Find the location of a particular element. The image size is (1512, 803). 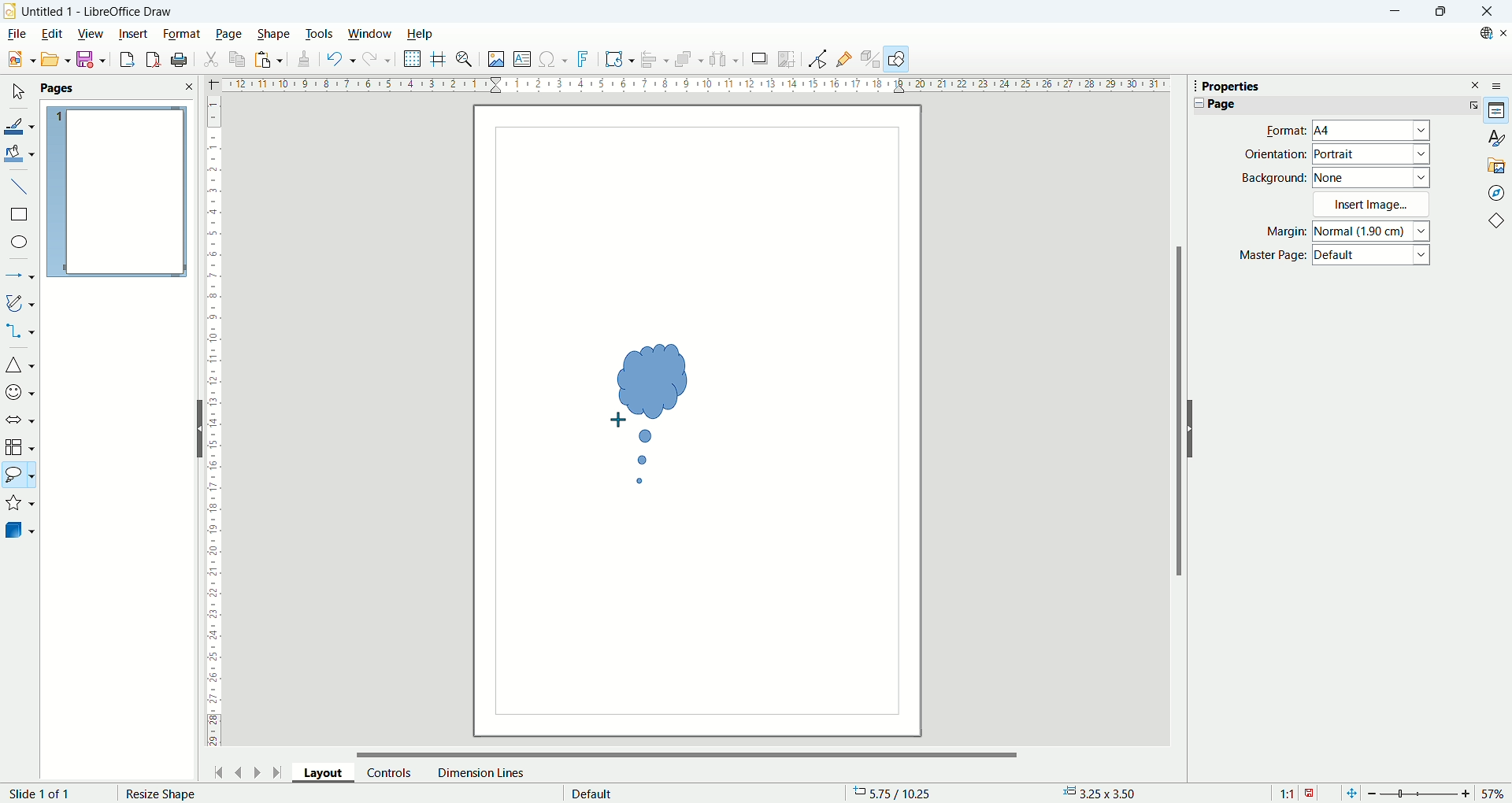

Close sidebar deck is located at coordinates (1476, 84).